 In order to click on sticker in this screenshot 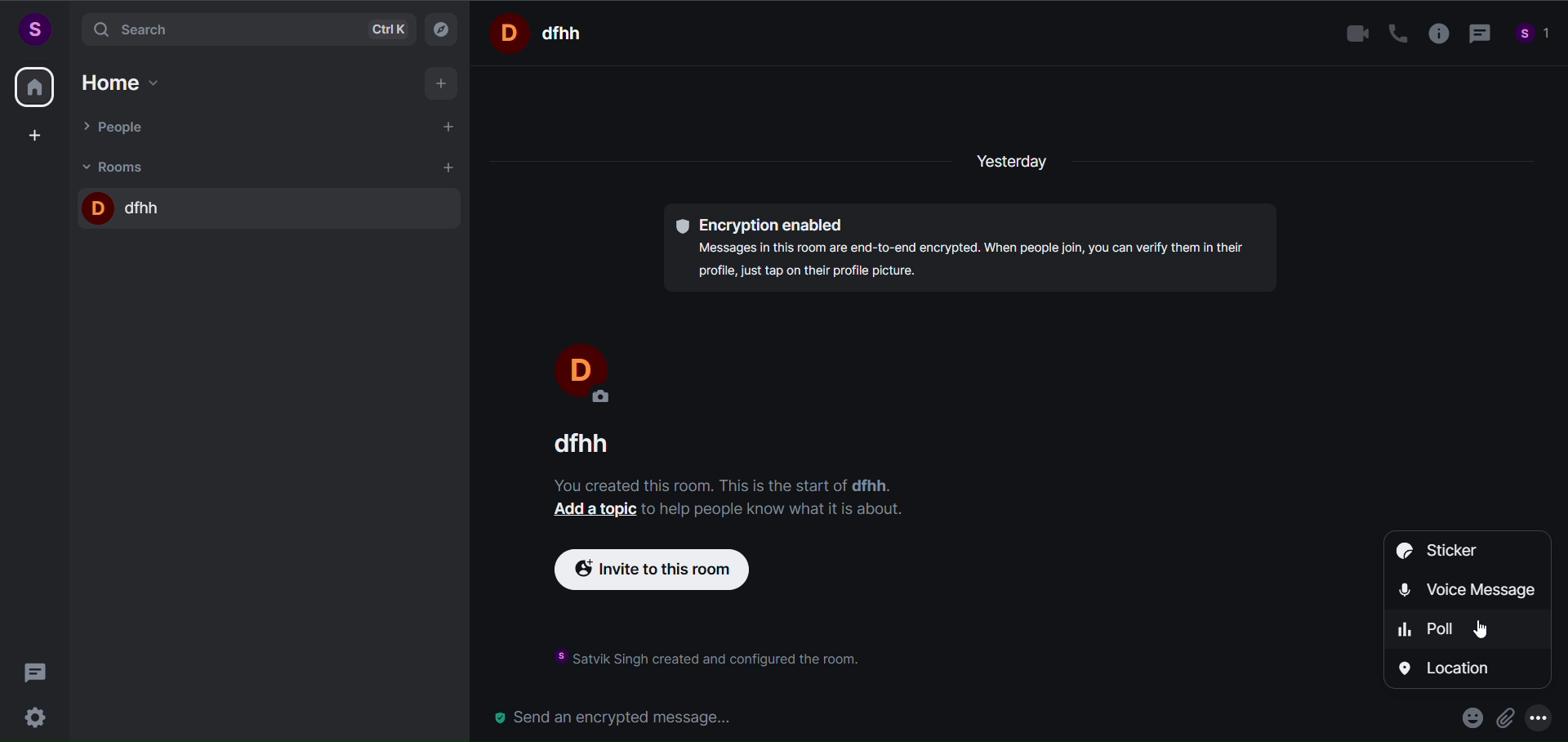, I will do `click(1454, 550)`.